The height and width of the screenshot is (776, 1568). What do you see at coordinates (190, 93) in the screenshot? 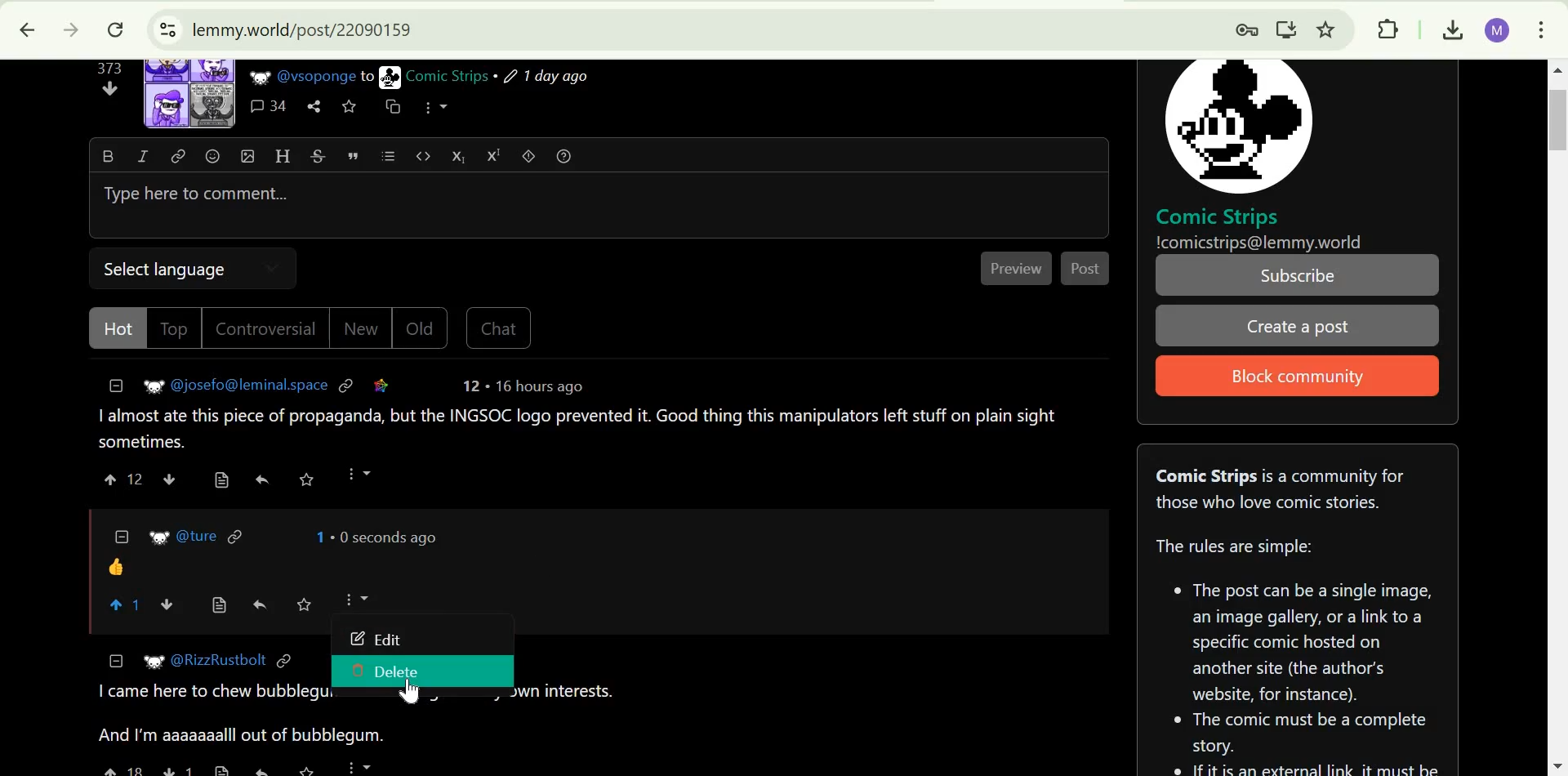
I see `expand here` at bounding box center [190, 93].